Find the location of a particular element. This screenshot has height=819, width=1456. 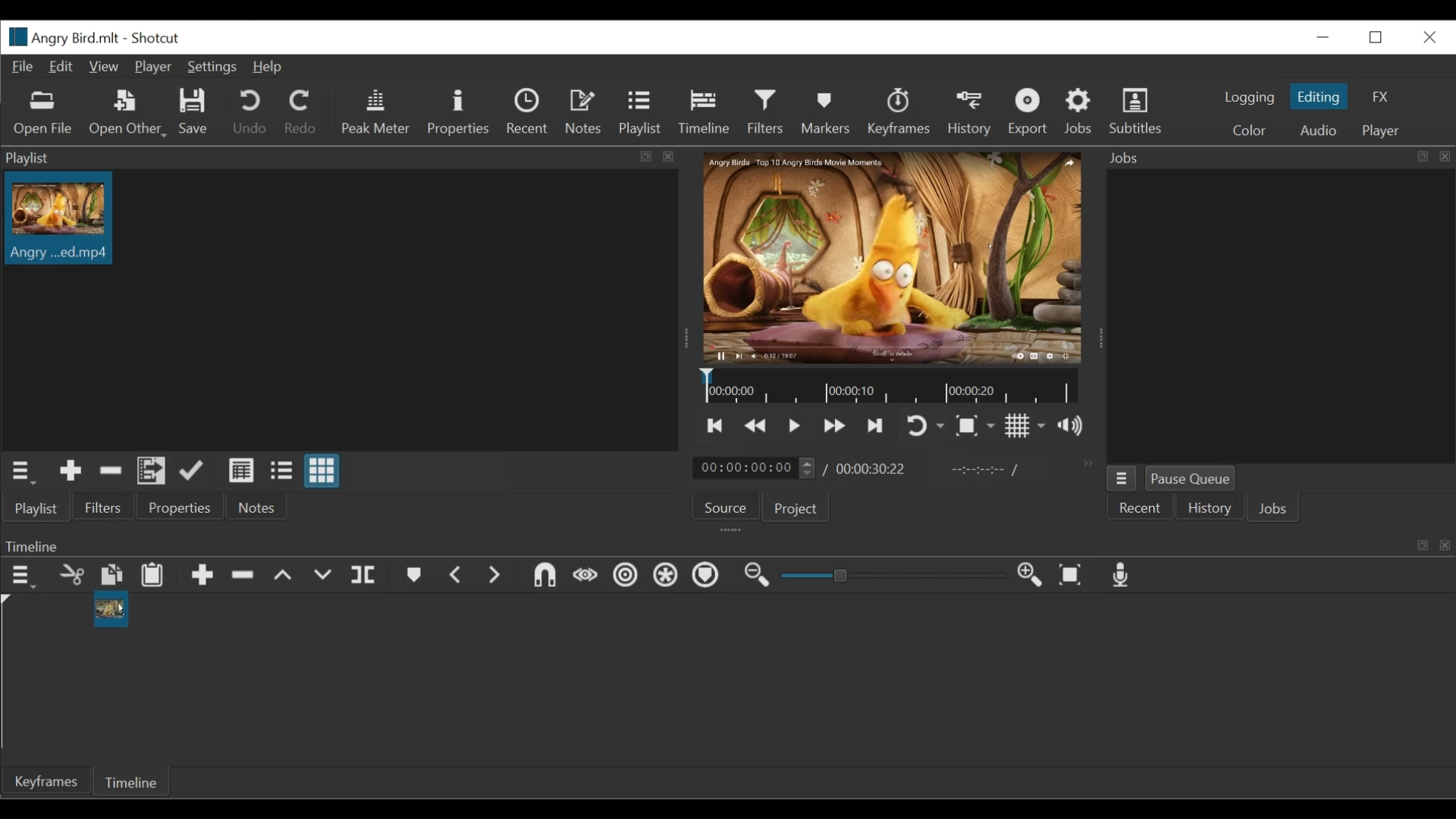

Recent is located at coordinates (529, 111).